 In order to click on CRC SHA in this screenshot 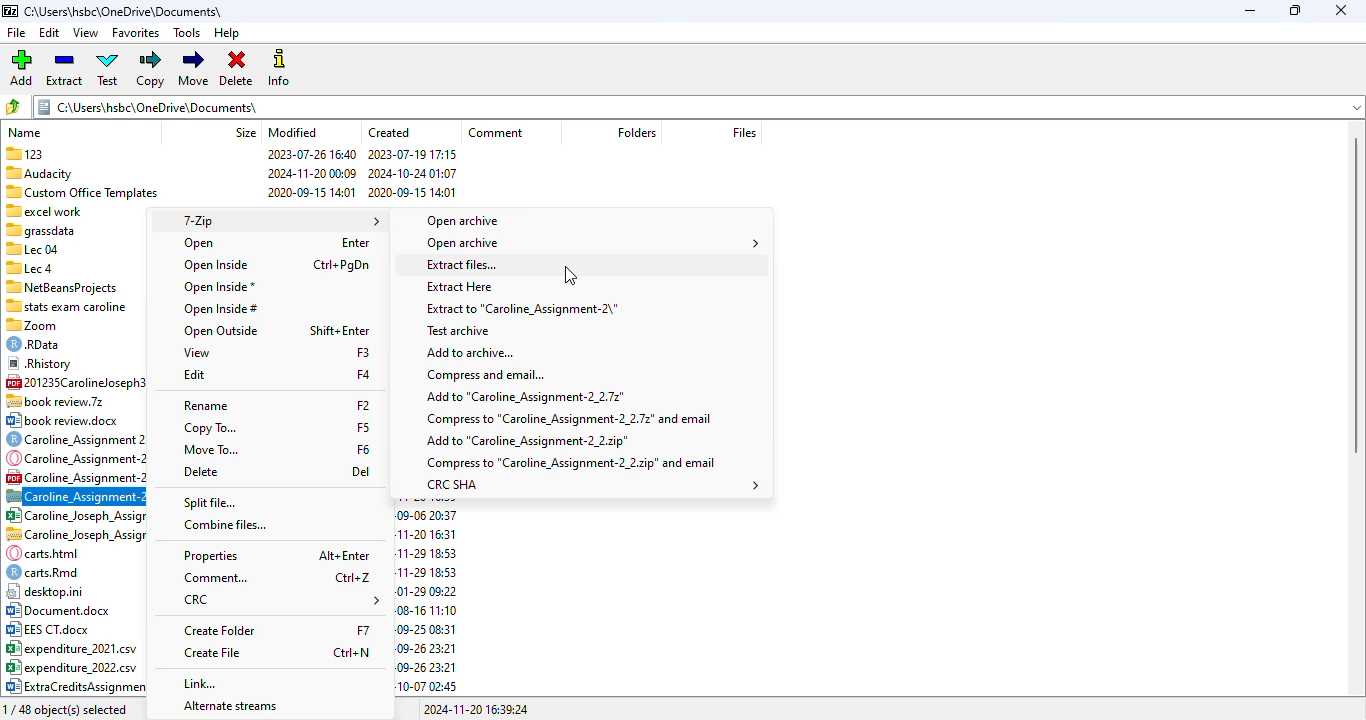, I will do `click(591, 485)`.